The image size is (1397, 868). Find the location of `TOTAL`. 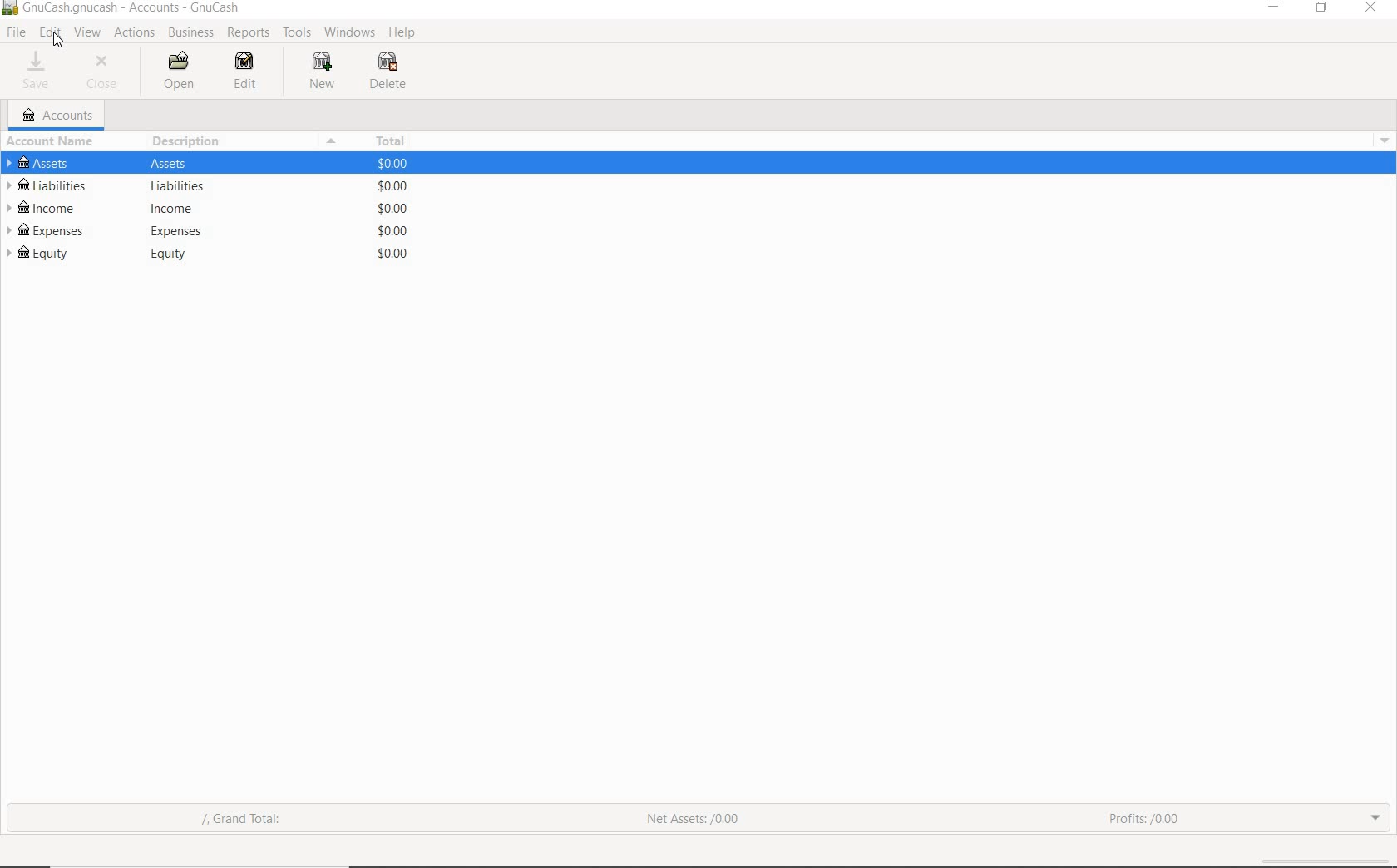

TOTAL is located at coordinates (391, 143).